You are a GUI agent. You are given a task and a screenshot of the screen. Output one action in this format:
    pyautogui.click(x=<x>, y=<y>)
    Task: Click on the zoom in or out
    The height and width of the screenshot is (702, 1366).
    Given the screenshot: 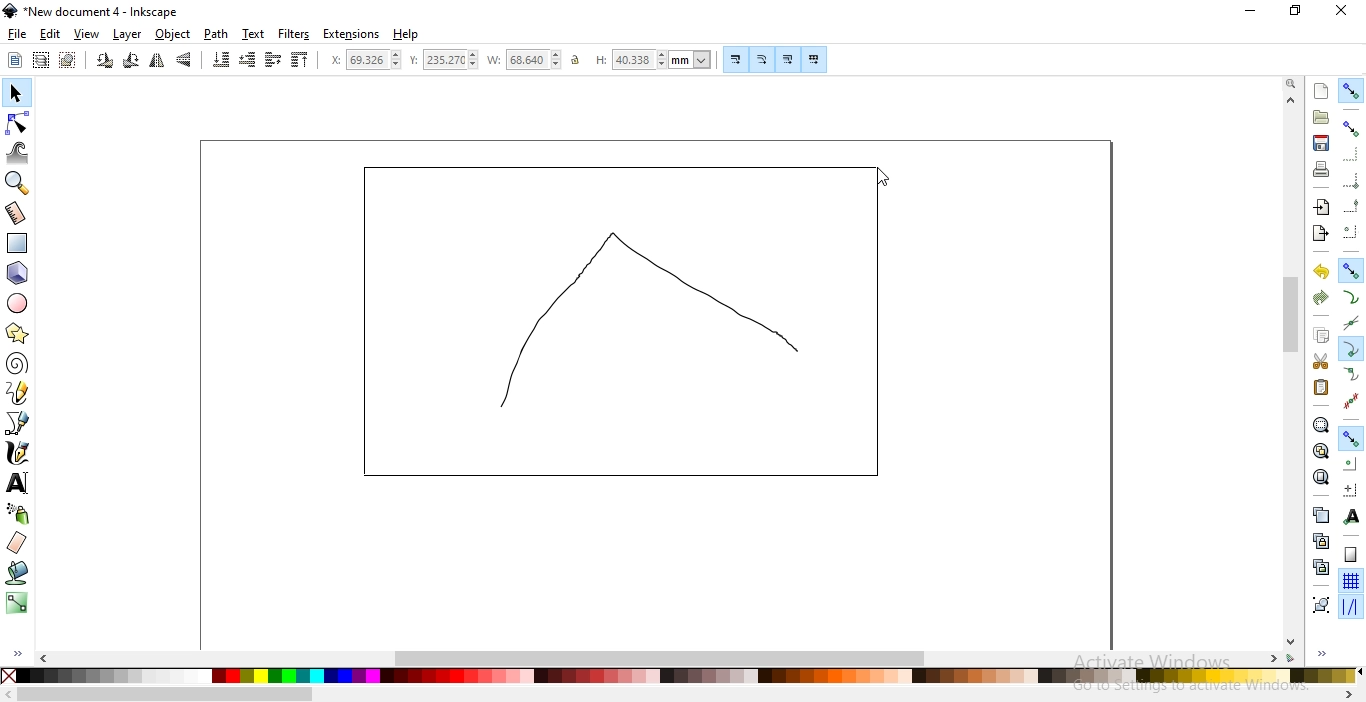 What is the action you would take?
    pyautogui.click(x=15, y=183)
    